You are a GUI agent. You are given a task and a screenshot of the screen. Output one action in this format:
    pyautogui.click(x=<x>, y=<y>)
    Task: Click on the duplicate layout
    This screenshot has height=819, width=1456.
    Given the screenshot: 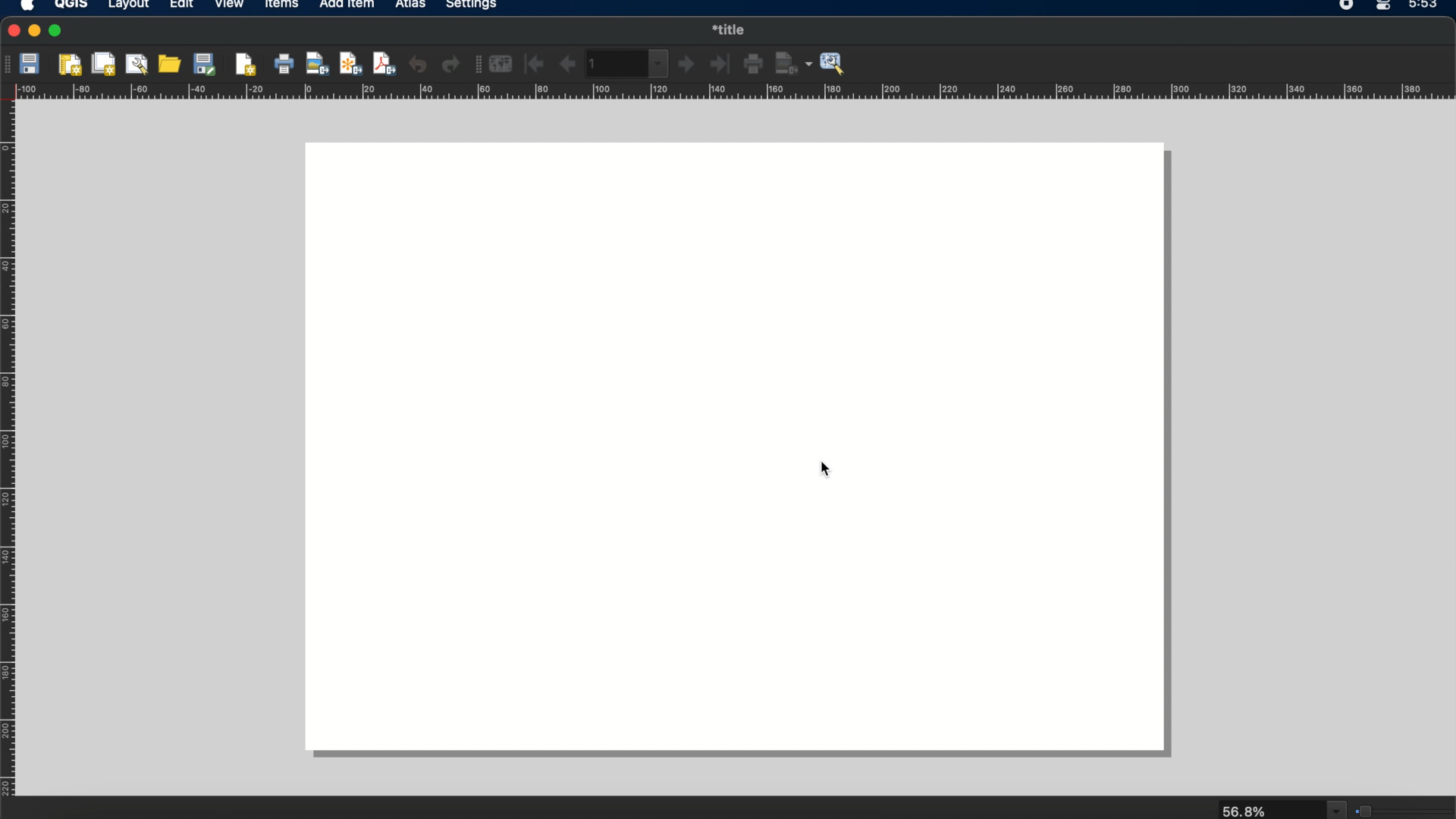 What is the action you would take?
    pyautogui.click(x=105, y=63)
    